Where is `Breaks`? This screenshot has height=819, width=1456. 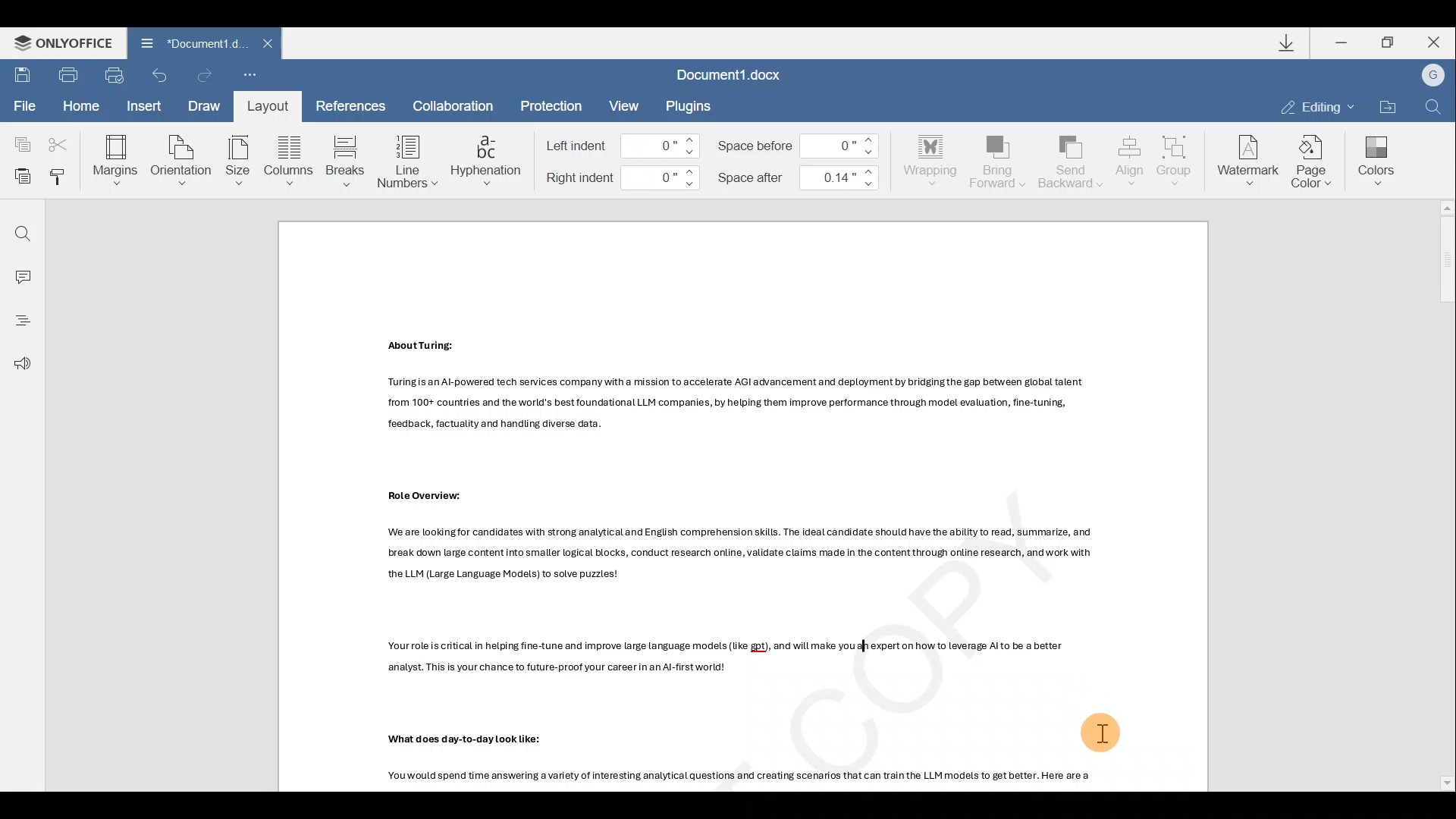
Breaks is located at coordinates (346, 157).